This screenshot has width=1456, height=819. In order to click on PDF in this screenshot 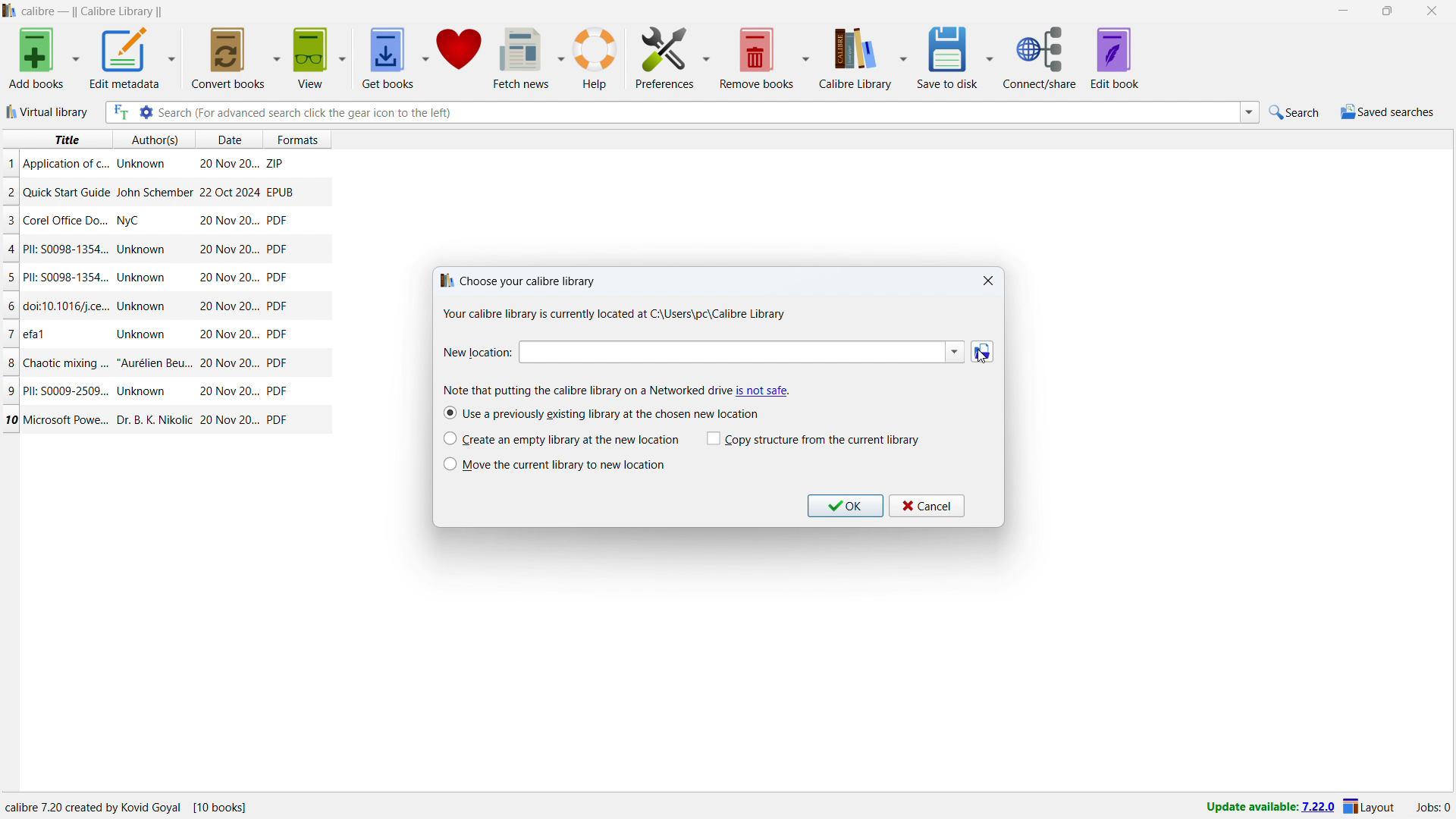, I will do `click(277, 220)`.